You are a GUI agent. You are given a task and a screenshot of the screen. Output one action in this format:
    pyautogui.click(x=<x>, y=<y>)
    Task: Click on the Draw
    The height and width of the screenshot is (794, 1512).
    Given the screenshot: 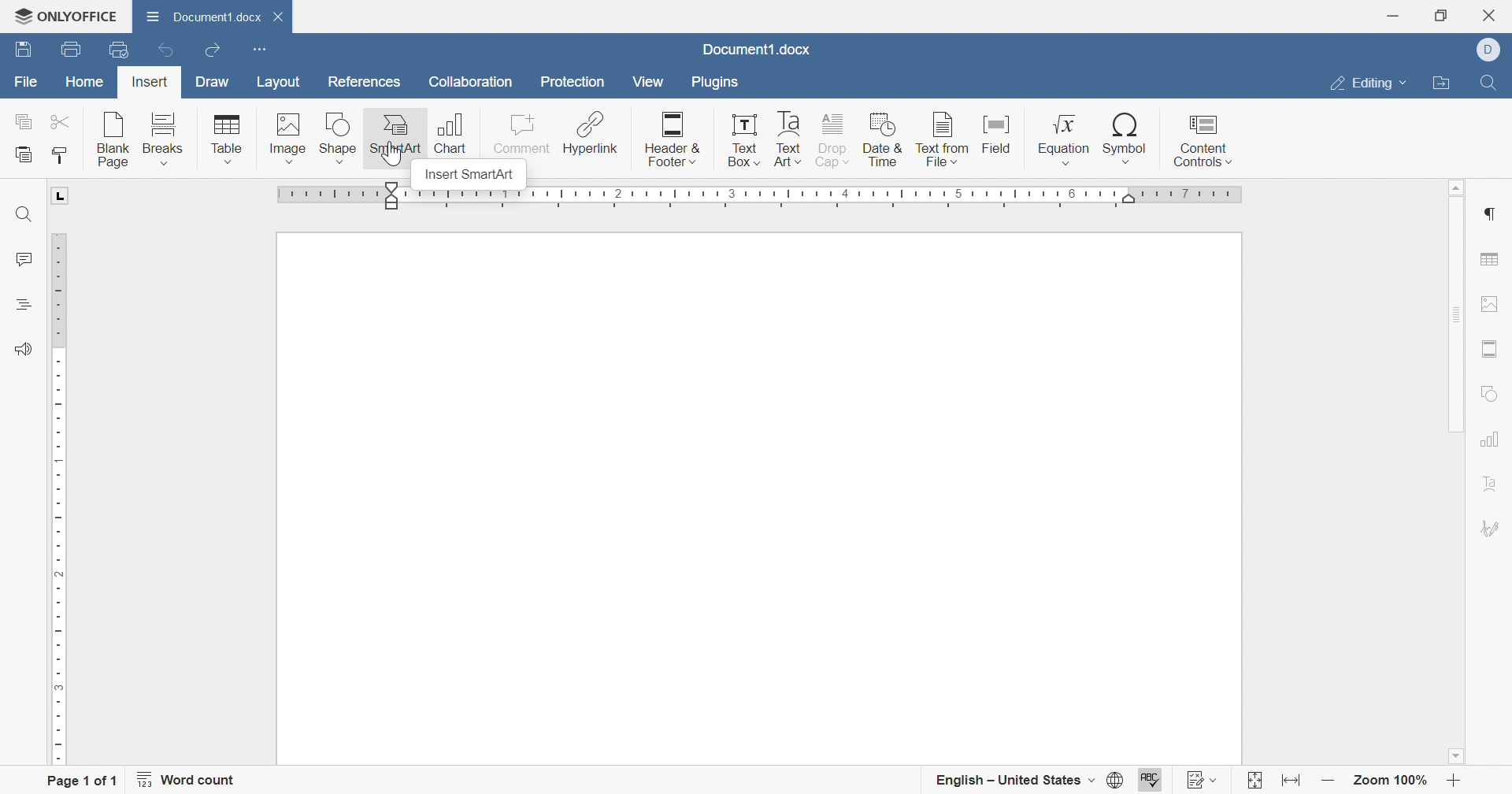 What is the action you would take?
    pyautogui.click(x=210, y=82)
    